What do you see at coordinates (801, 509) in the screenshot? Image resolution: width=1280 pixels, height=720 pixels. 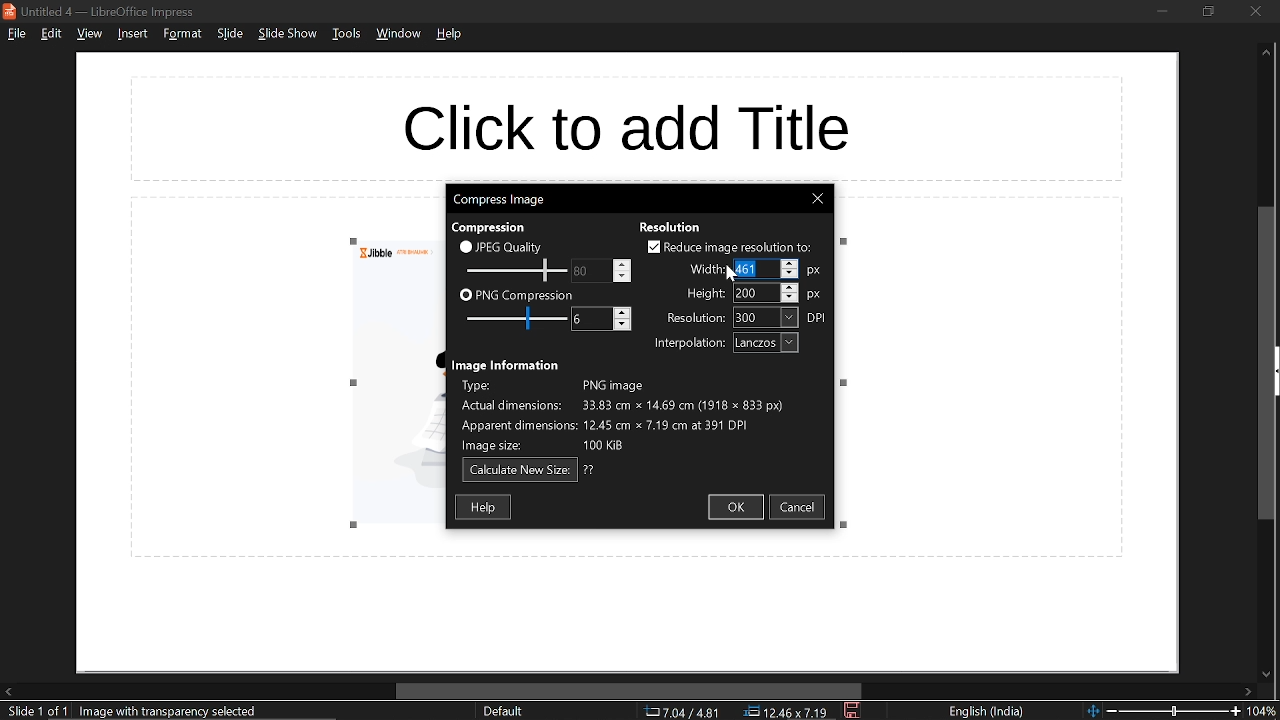 I see `cancel` at bounding box center [801, 509].